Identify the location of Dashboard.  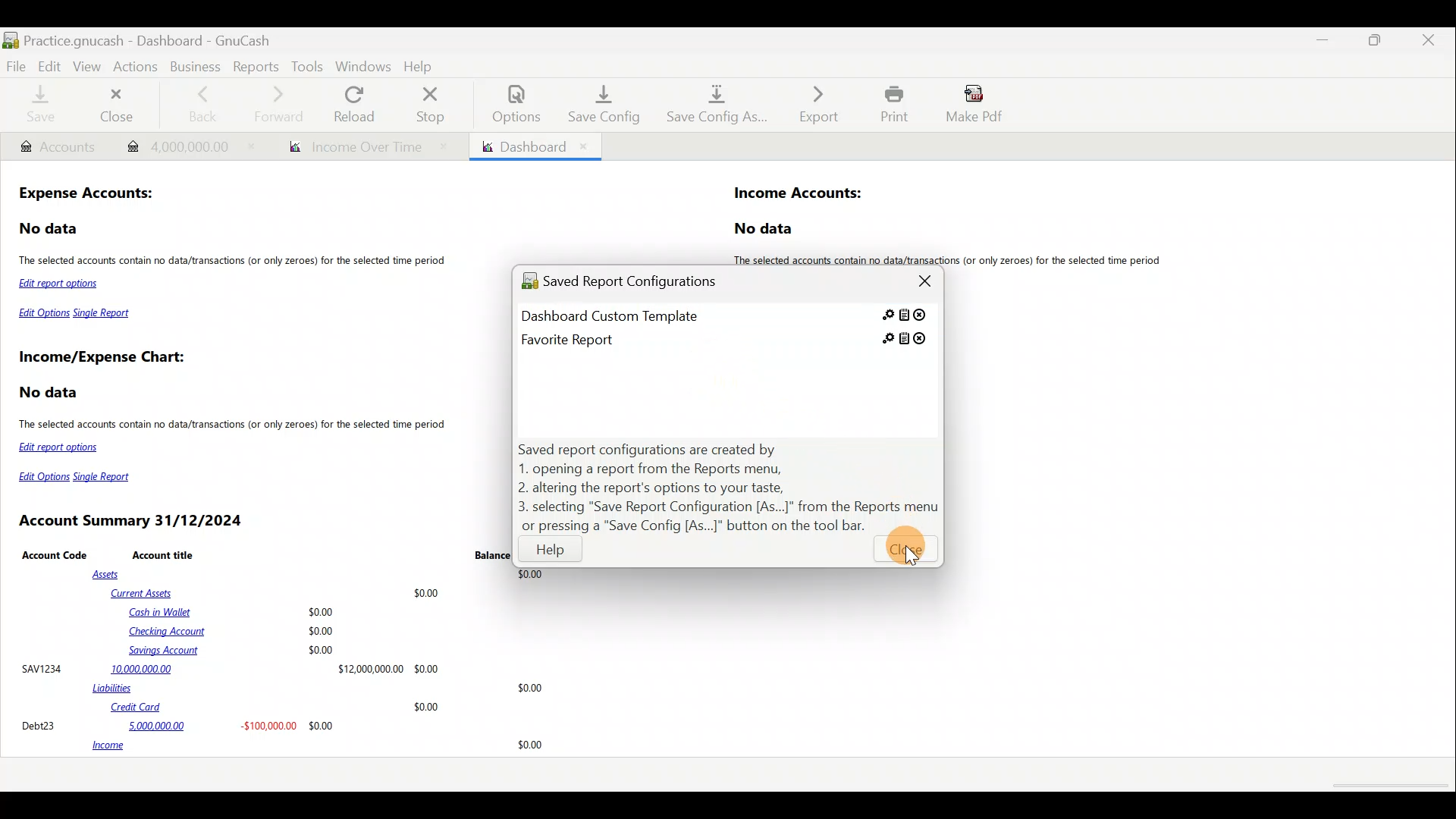
(534, 146).